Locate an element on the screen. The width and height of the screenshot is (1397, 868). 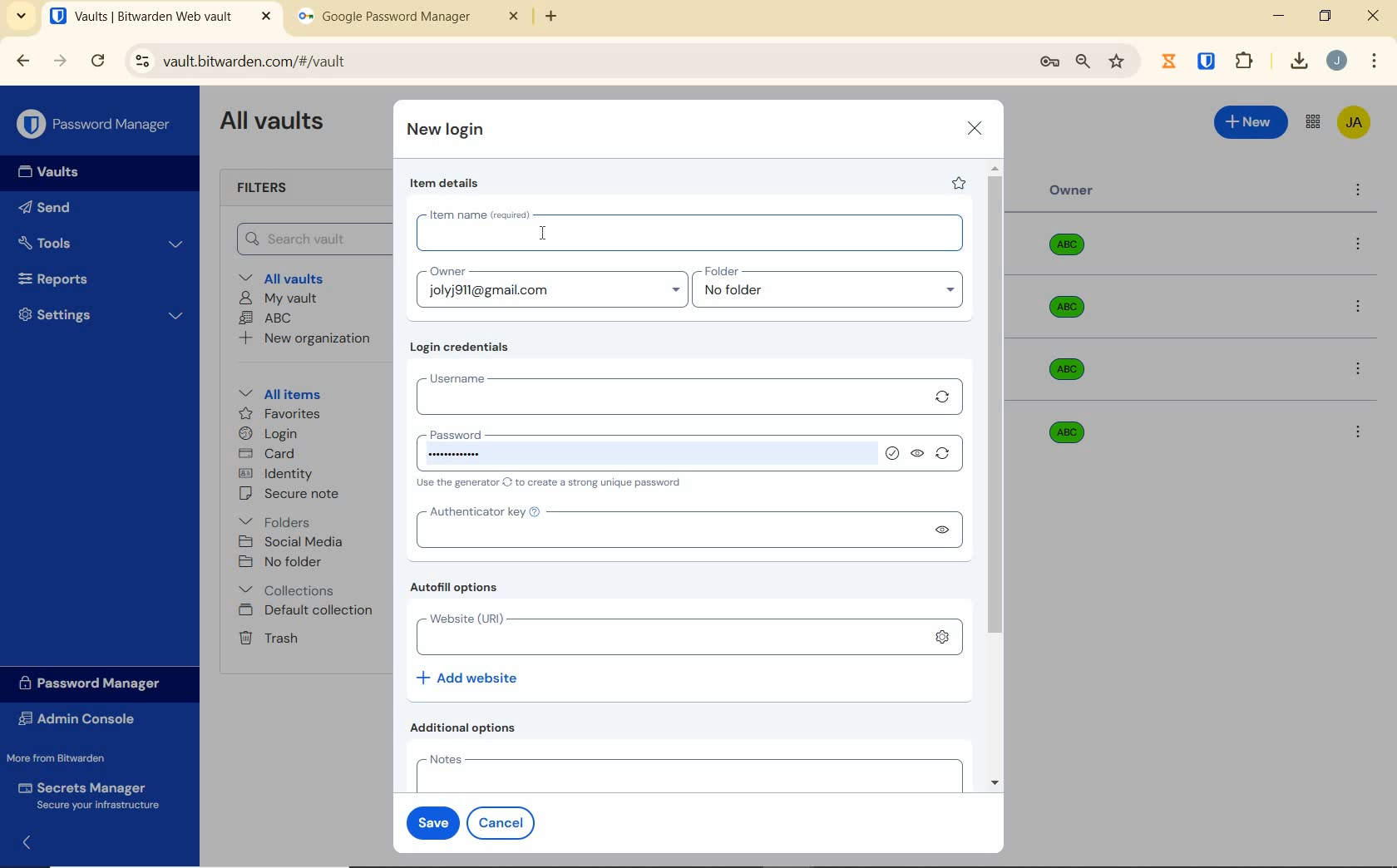
toggle between admin console and password manager is located at coordinates (1311, 123).